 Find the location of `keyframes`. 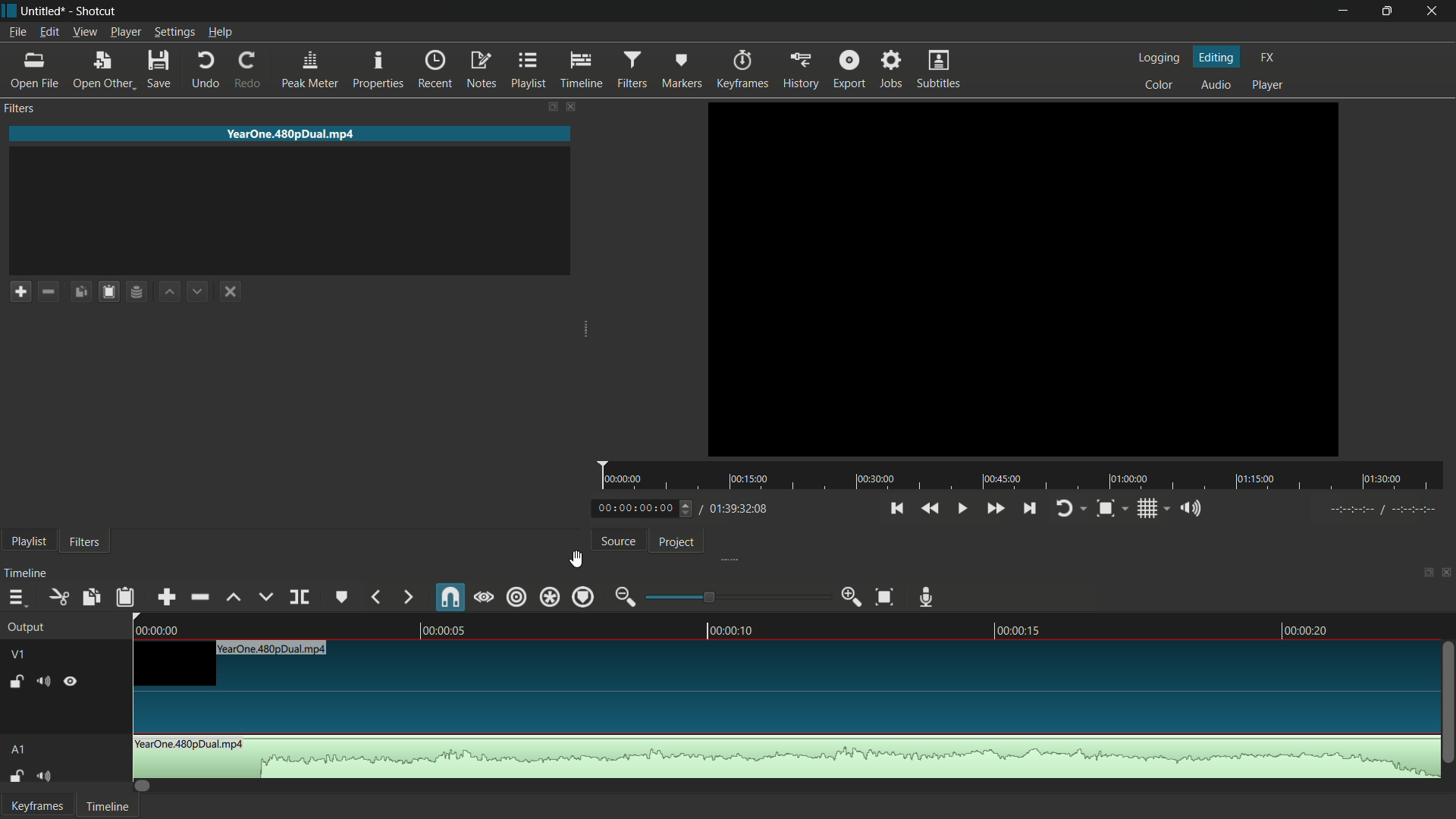

keyframes is located at coordinates (745, 68).